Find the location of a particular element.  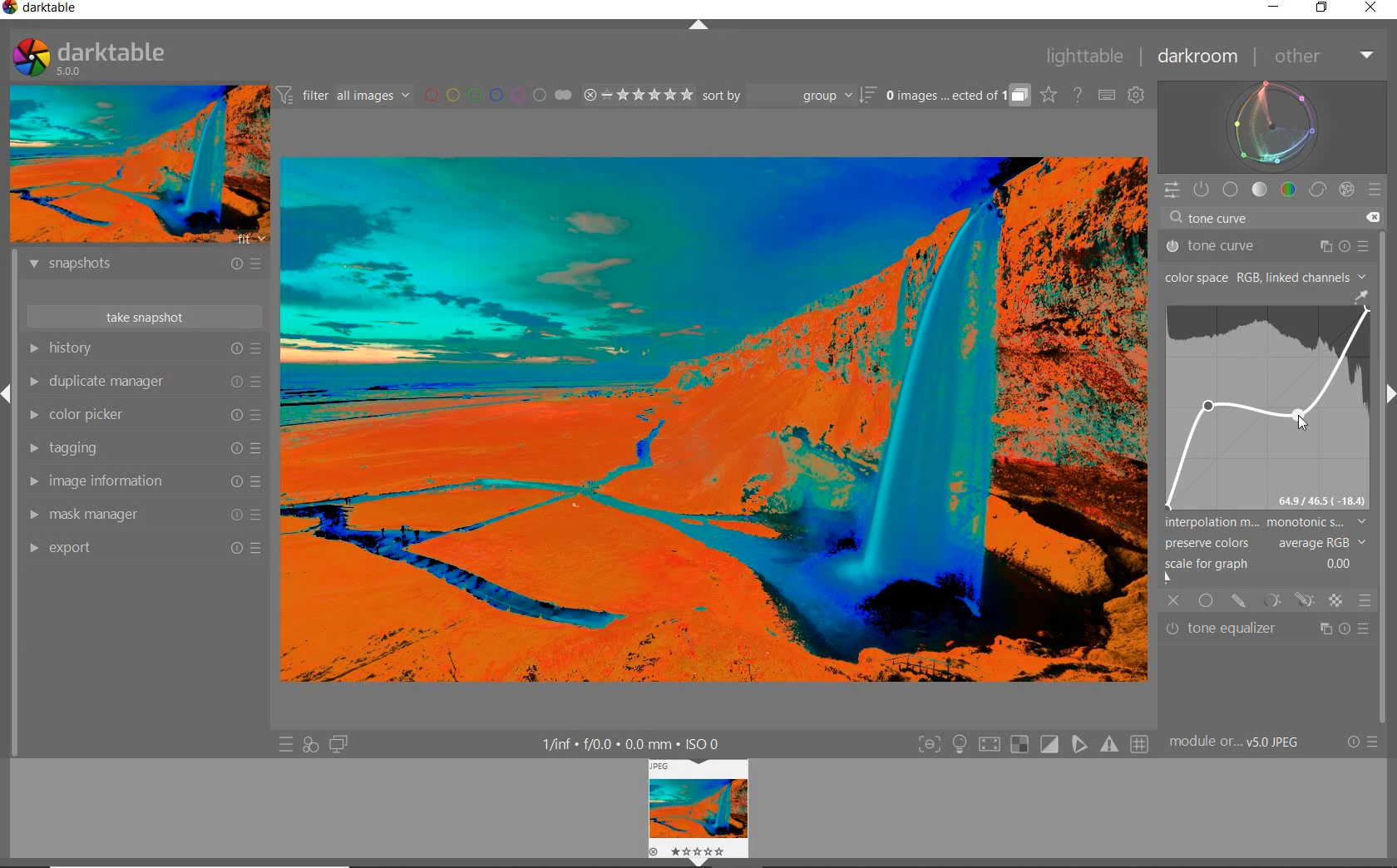

OFF is located at coordinates (1173, 601).